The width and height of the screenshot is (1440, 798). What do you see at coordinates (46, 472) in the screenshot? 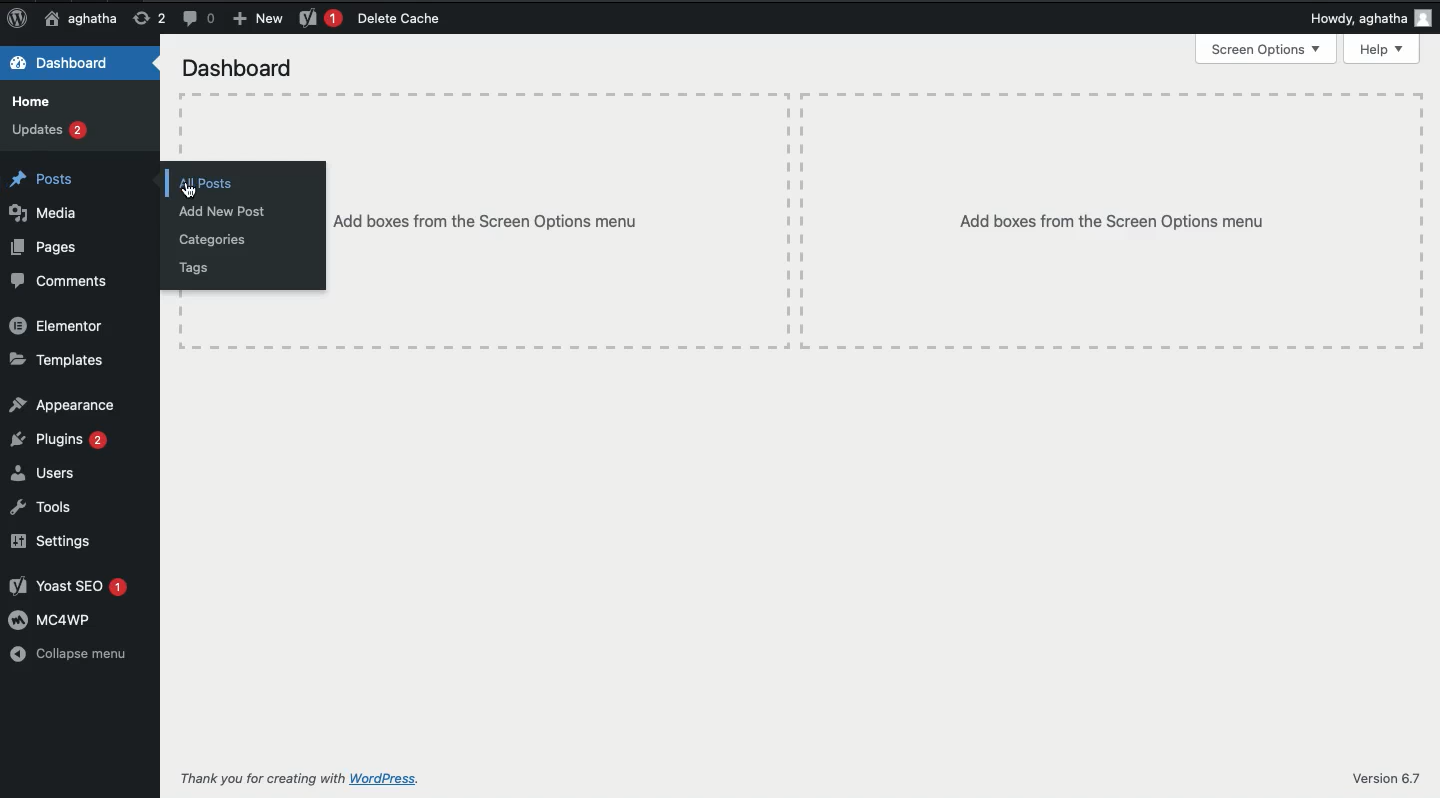
I see `Users` at bounding box center [46, 472].